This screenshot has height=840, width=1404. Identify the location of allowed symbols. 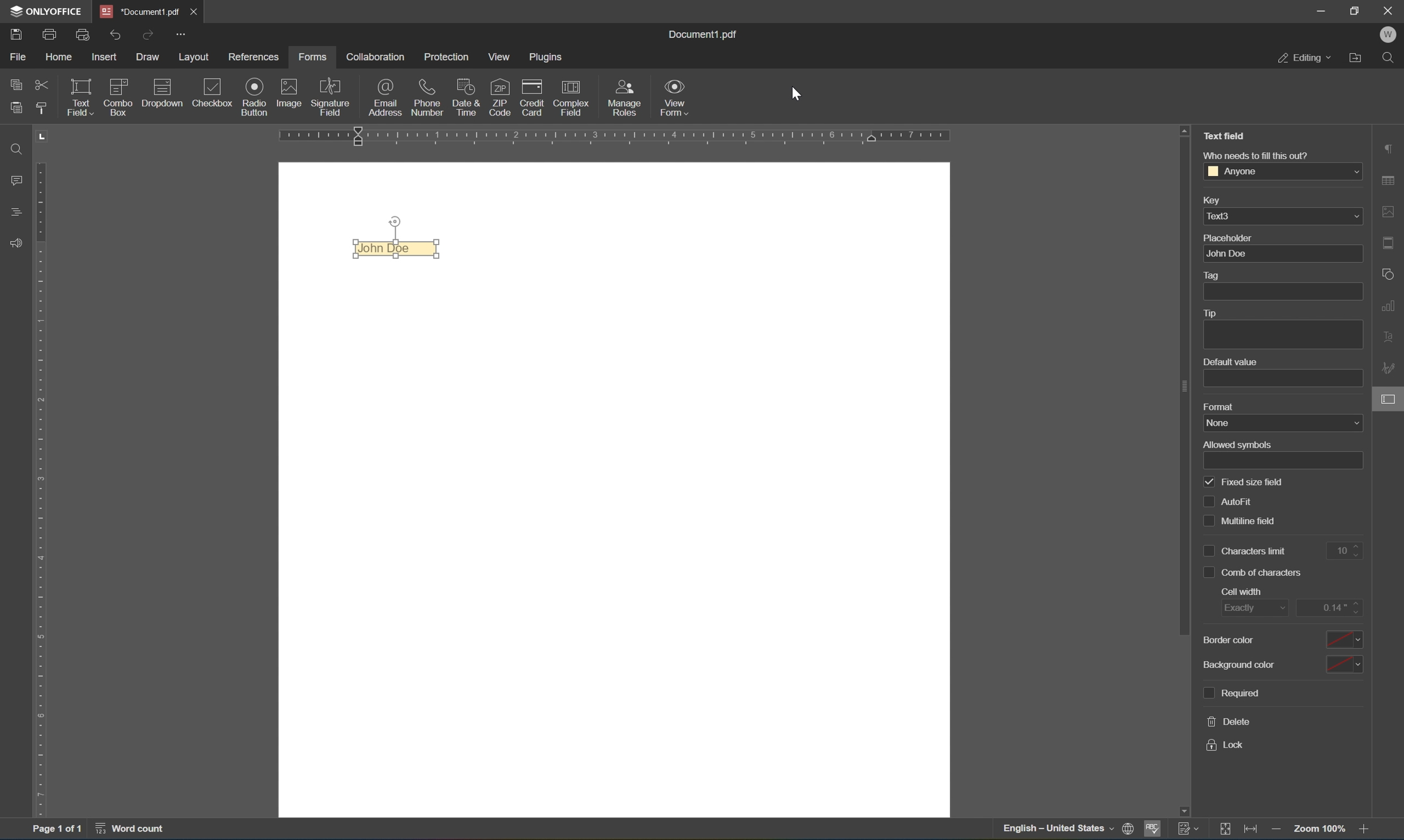
(1235, 444).